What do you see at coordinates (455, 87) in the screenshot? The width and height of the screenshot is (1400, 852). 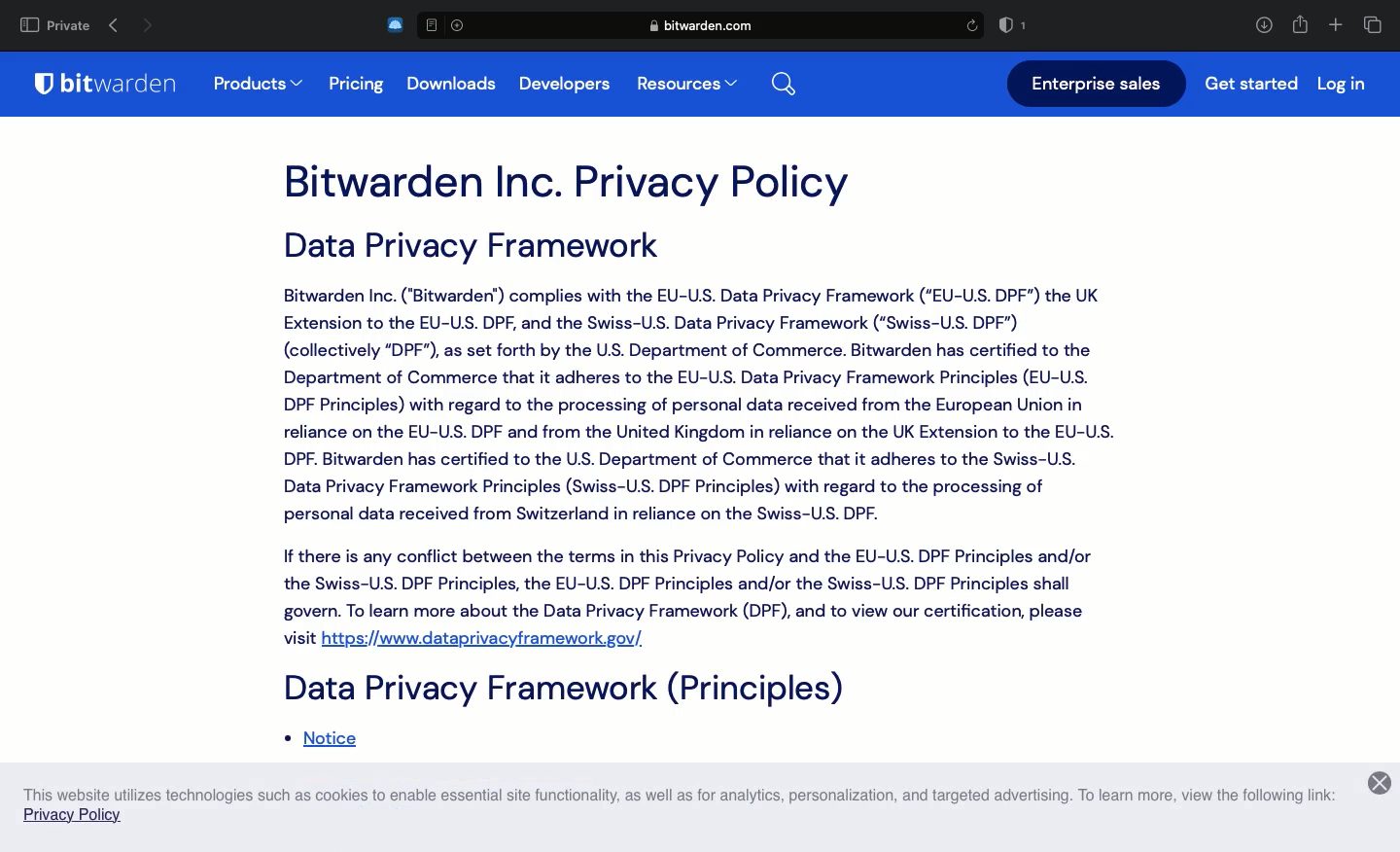 I see `downloads` at bounding box center [455, 87].